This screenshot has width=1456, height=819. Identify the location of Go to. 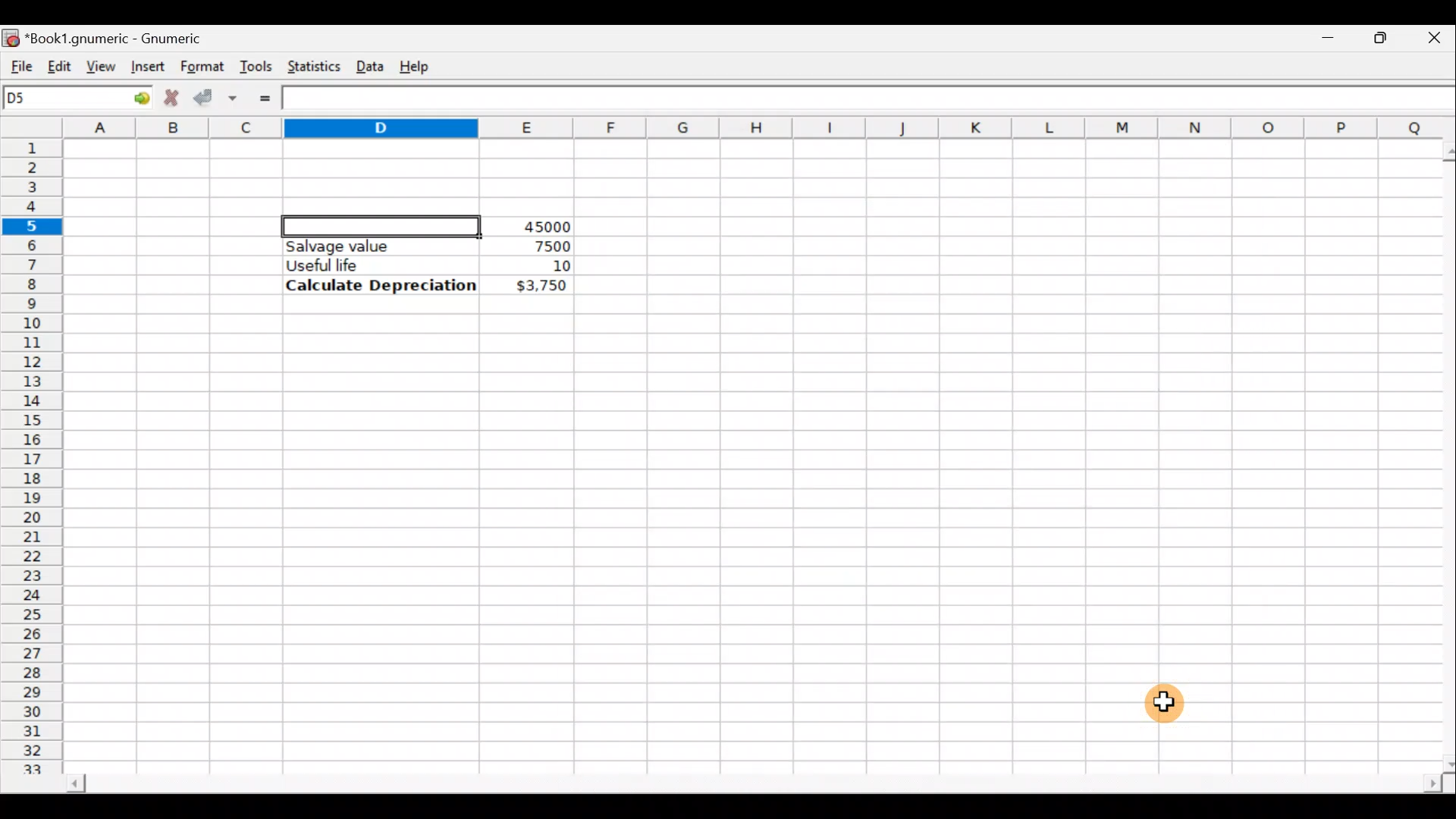
(136, 99).